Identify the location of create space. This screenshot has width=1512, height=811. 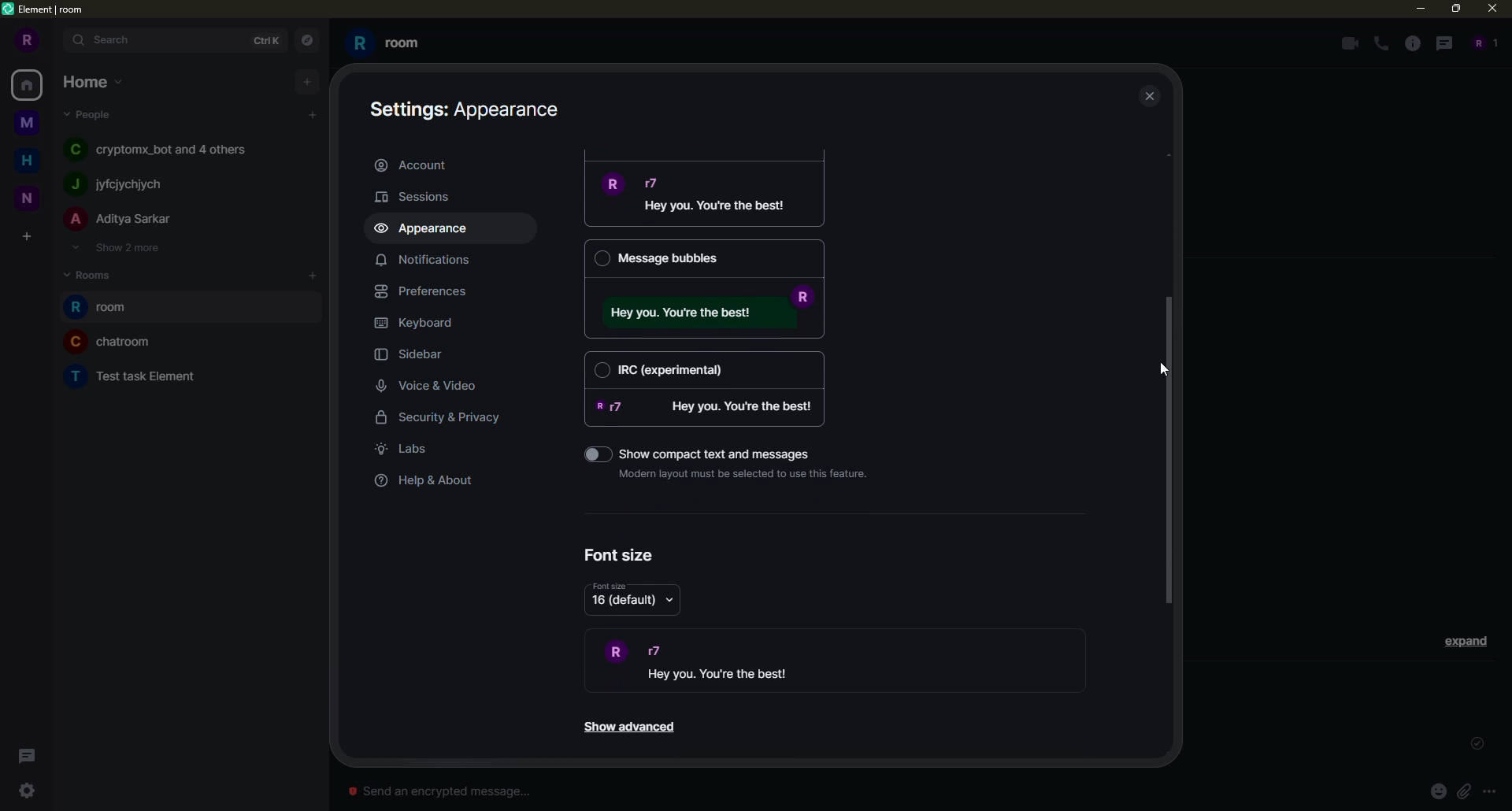
(26, 238).